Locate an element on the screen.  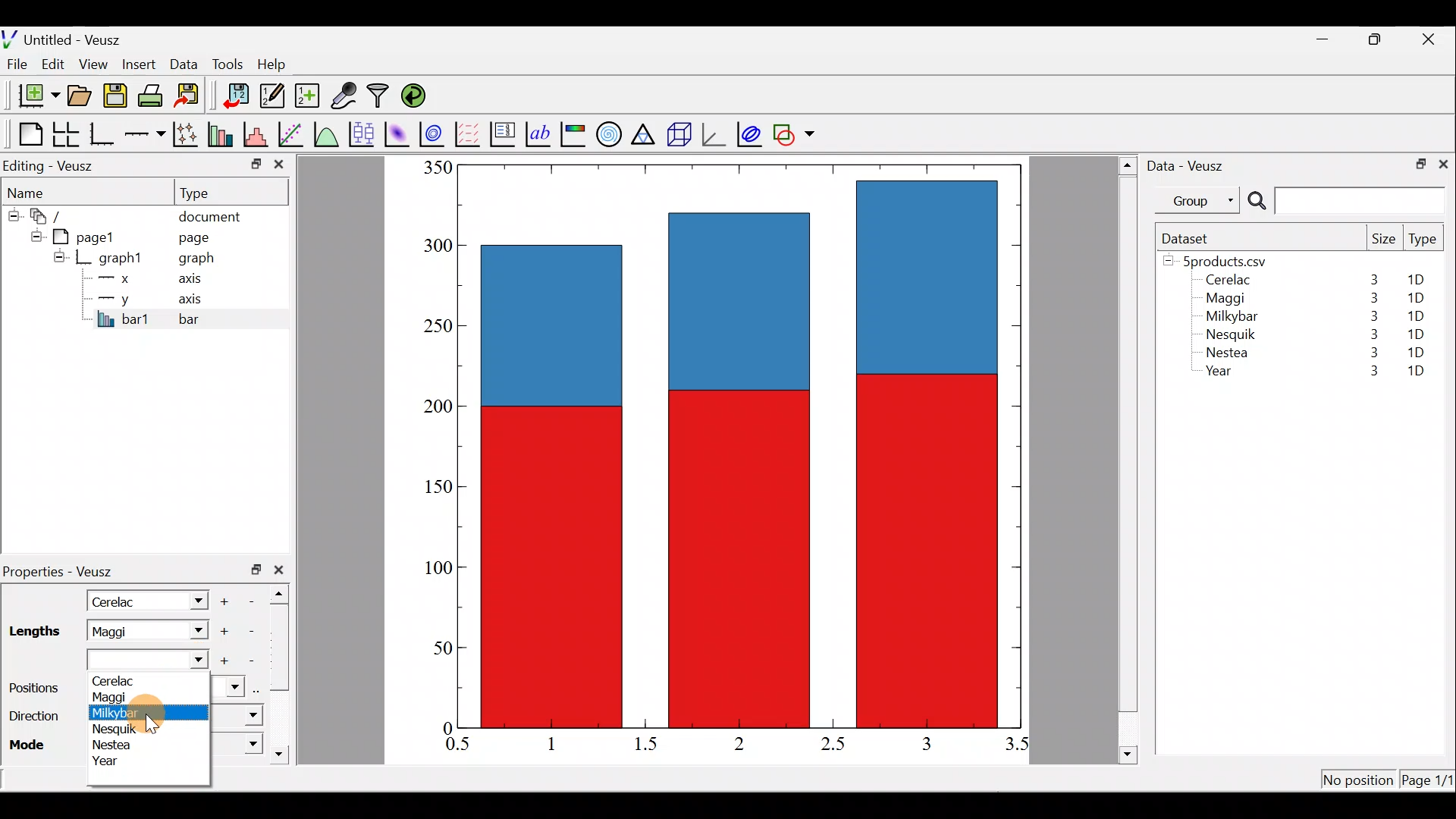
3 is located at coordinates (1366, 372).